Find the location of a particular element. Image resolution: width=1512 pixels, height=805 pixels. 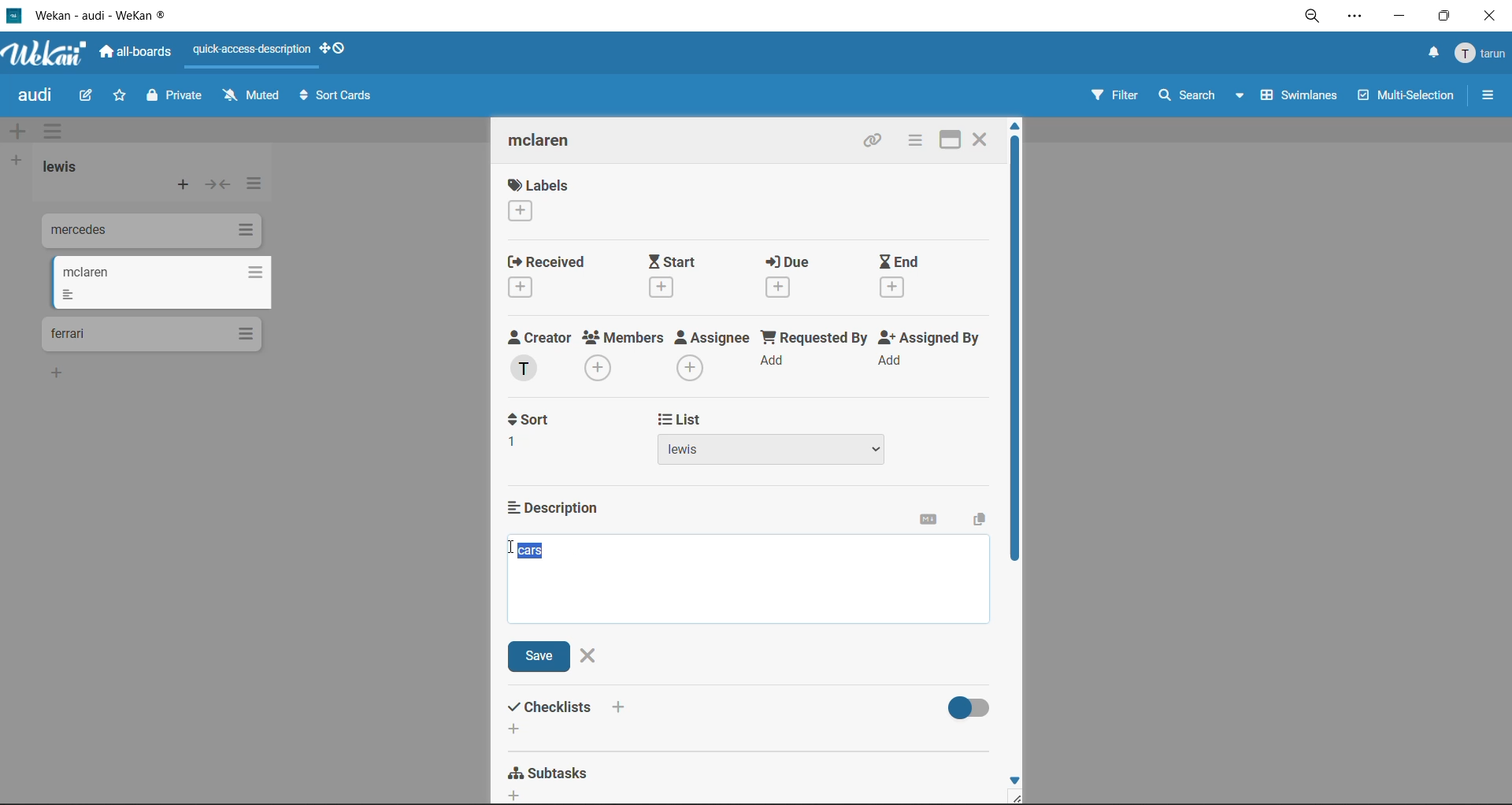

quick access description is located at coordinates (253, 50).